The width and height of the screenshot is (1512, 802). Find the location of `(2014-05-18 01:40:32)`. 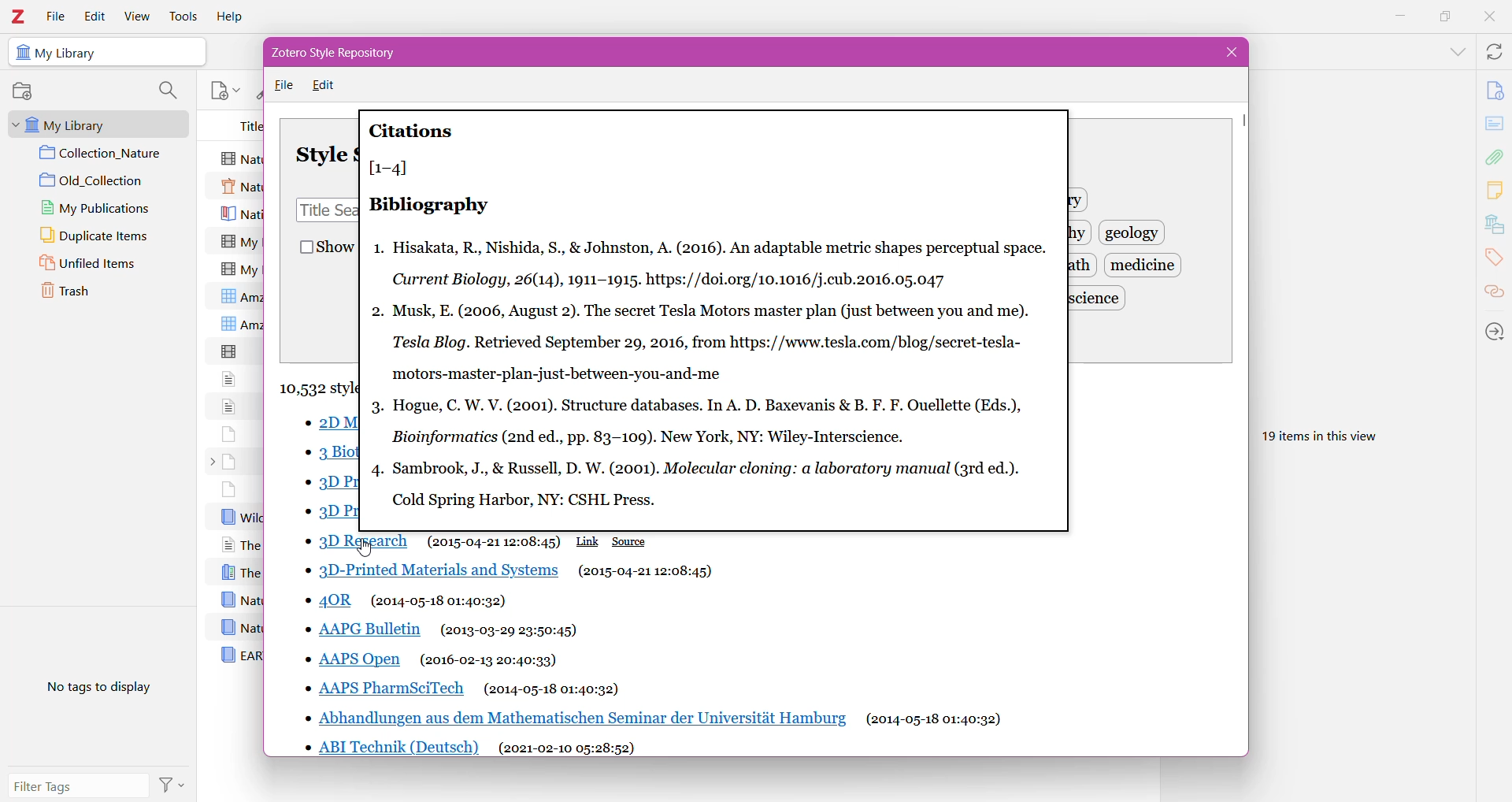

(2014-05-18 01:40:32) is located at coordinates (934, 720).